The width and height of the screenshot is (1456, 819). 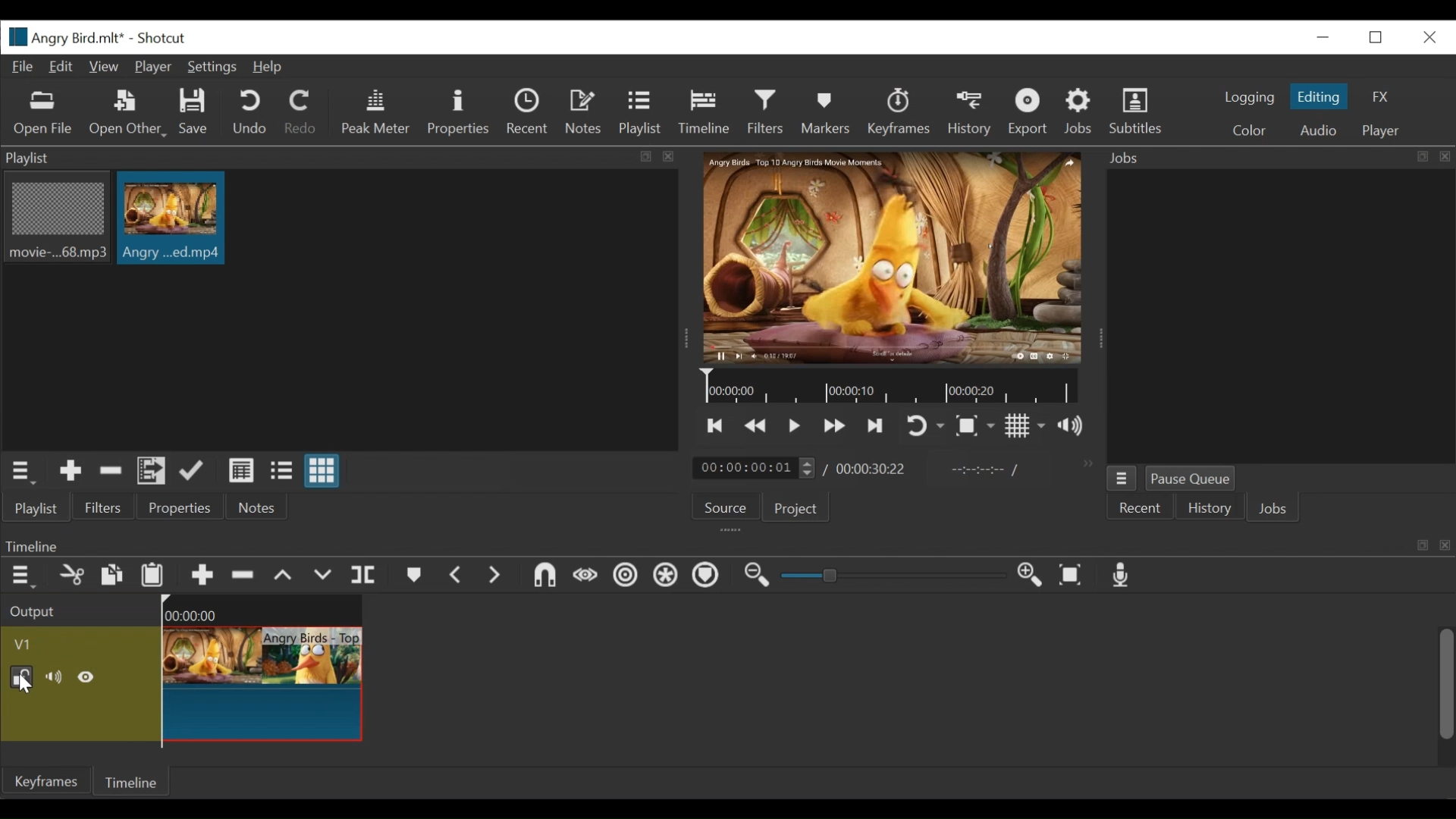 I want to click on Timeline, so click(x=890, y=387).